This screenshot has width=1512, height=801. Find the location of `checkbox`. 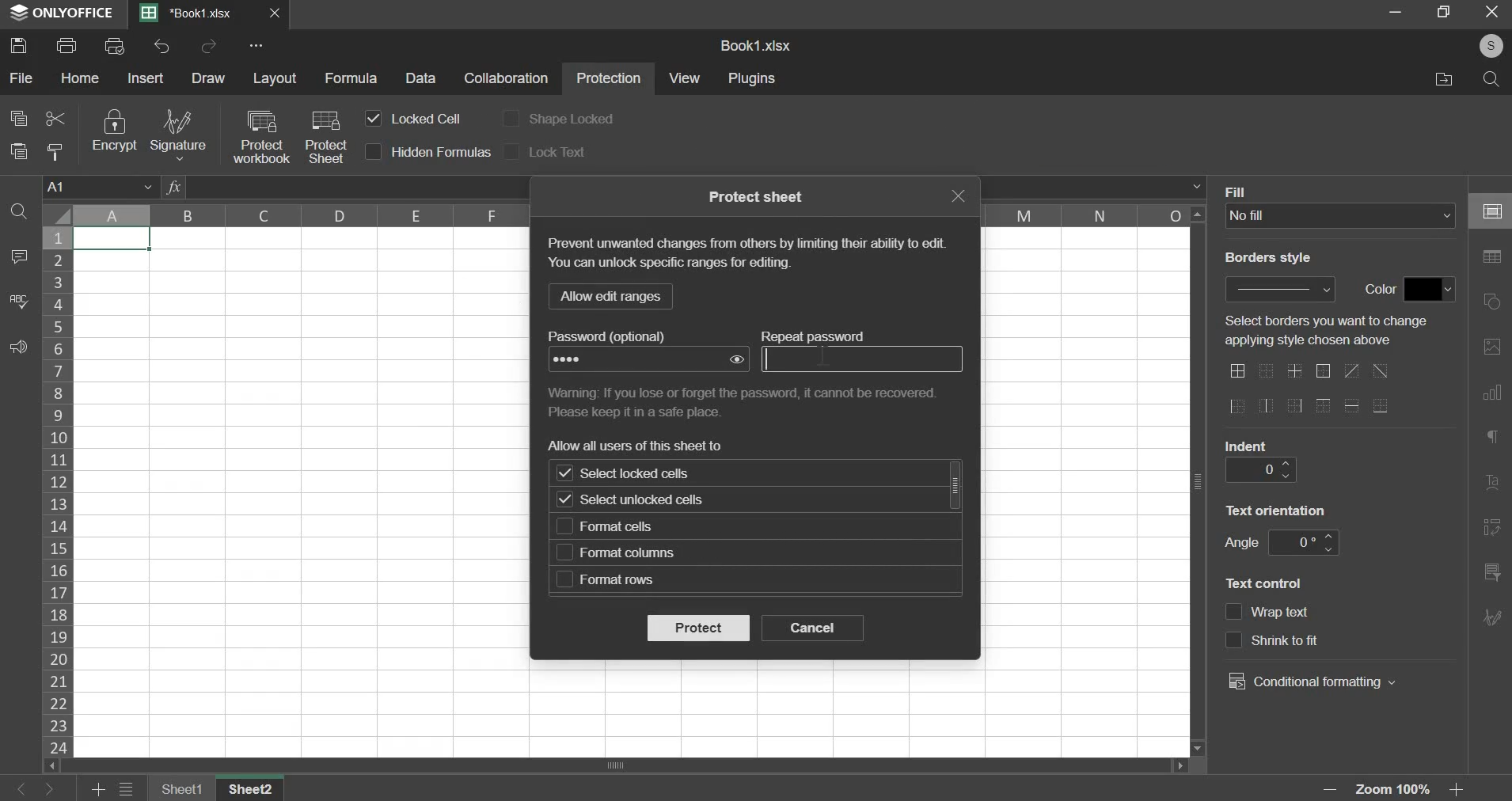

checkbox is located at coordinates (374, 119).